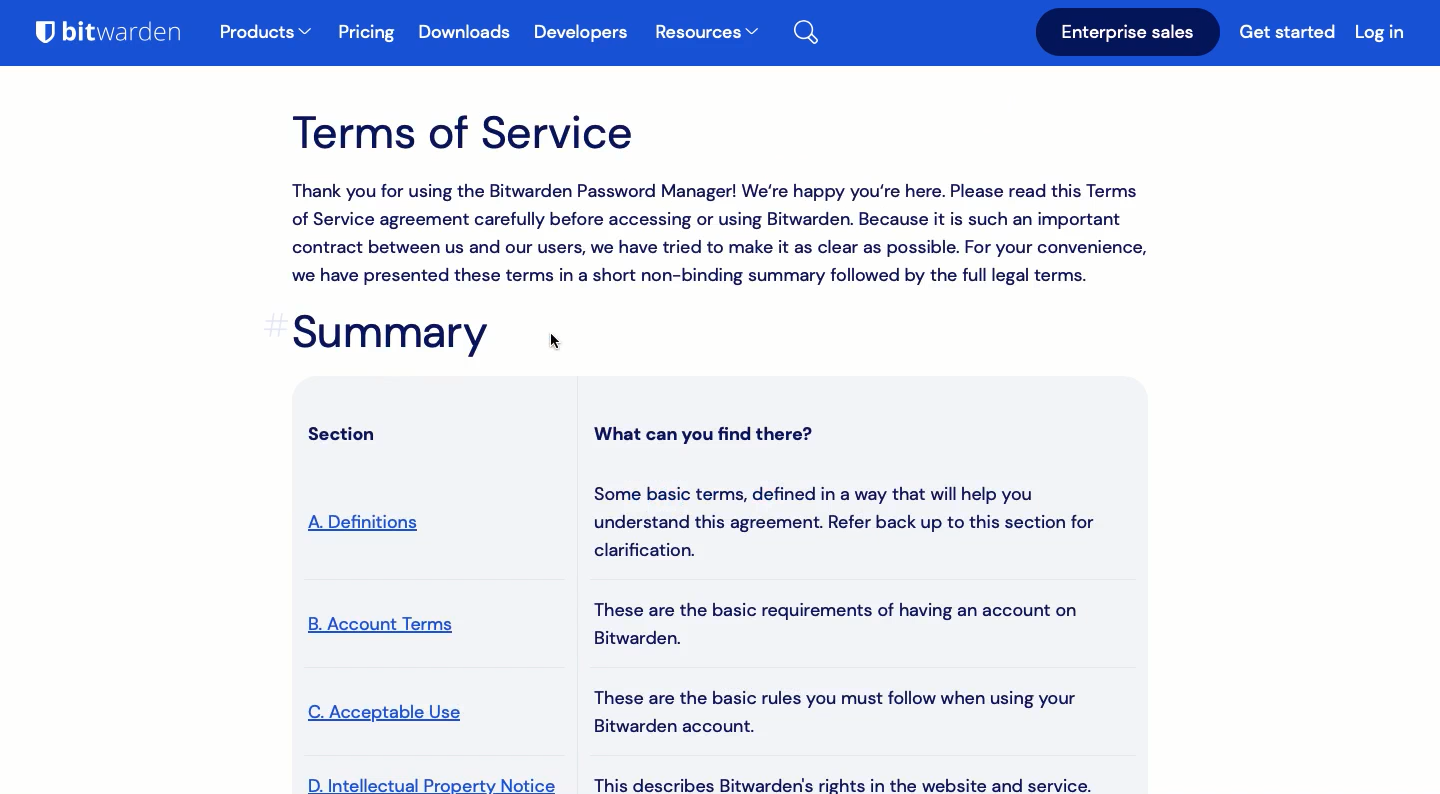 Image resolution: width=1440 pixels, height=794 pixels. I want to click on account terms , so click(380, 626).